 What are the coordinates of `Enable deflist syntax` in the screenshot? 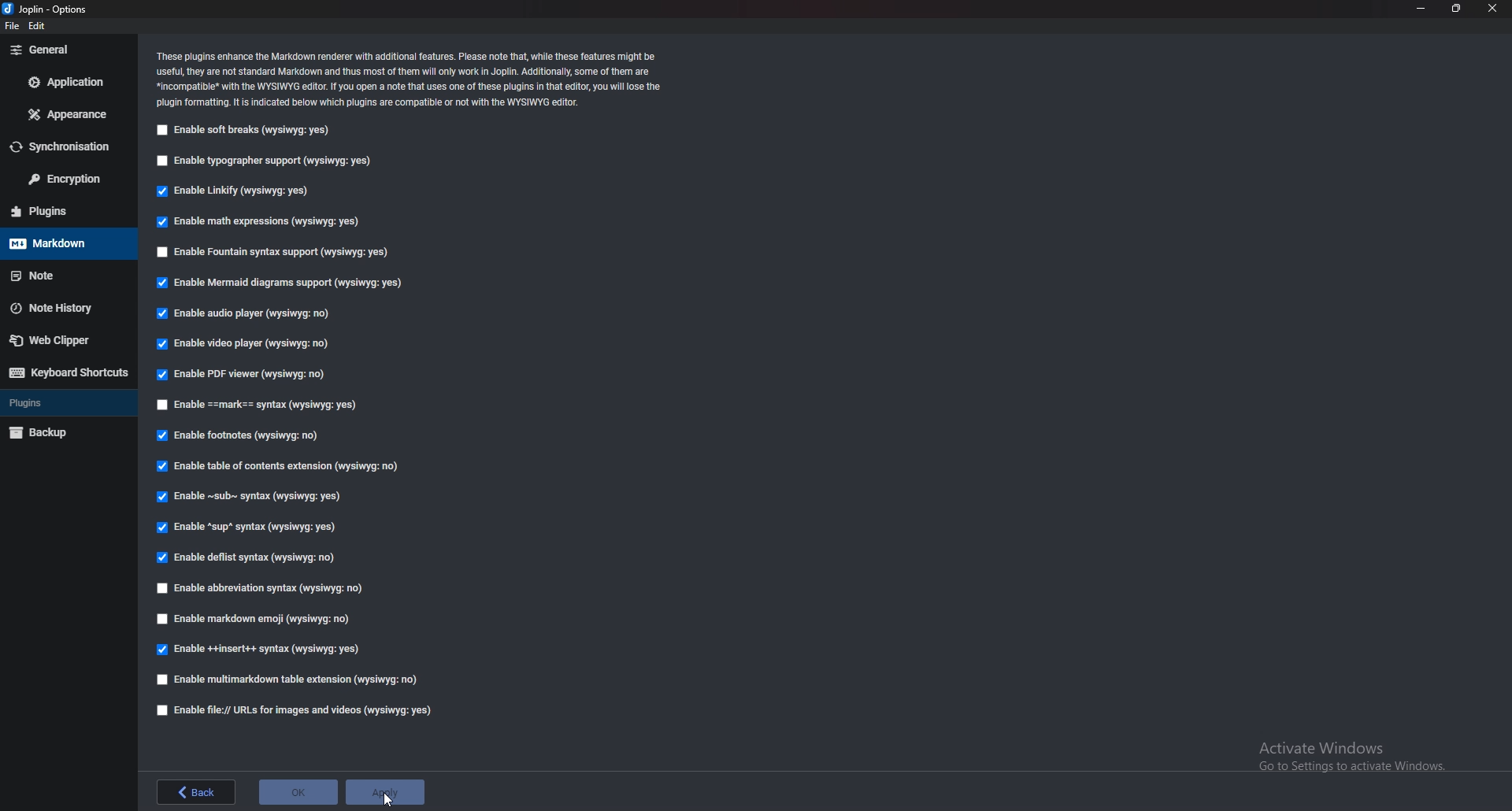 It's located at (246, 557).